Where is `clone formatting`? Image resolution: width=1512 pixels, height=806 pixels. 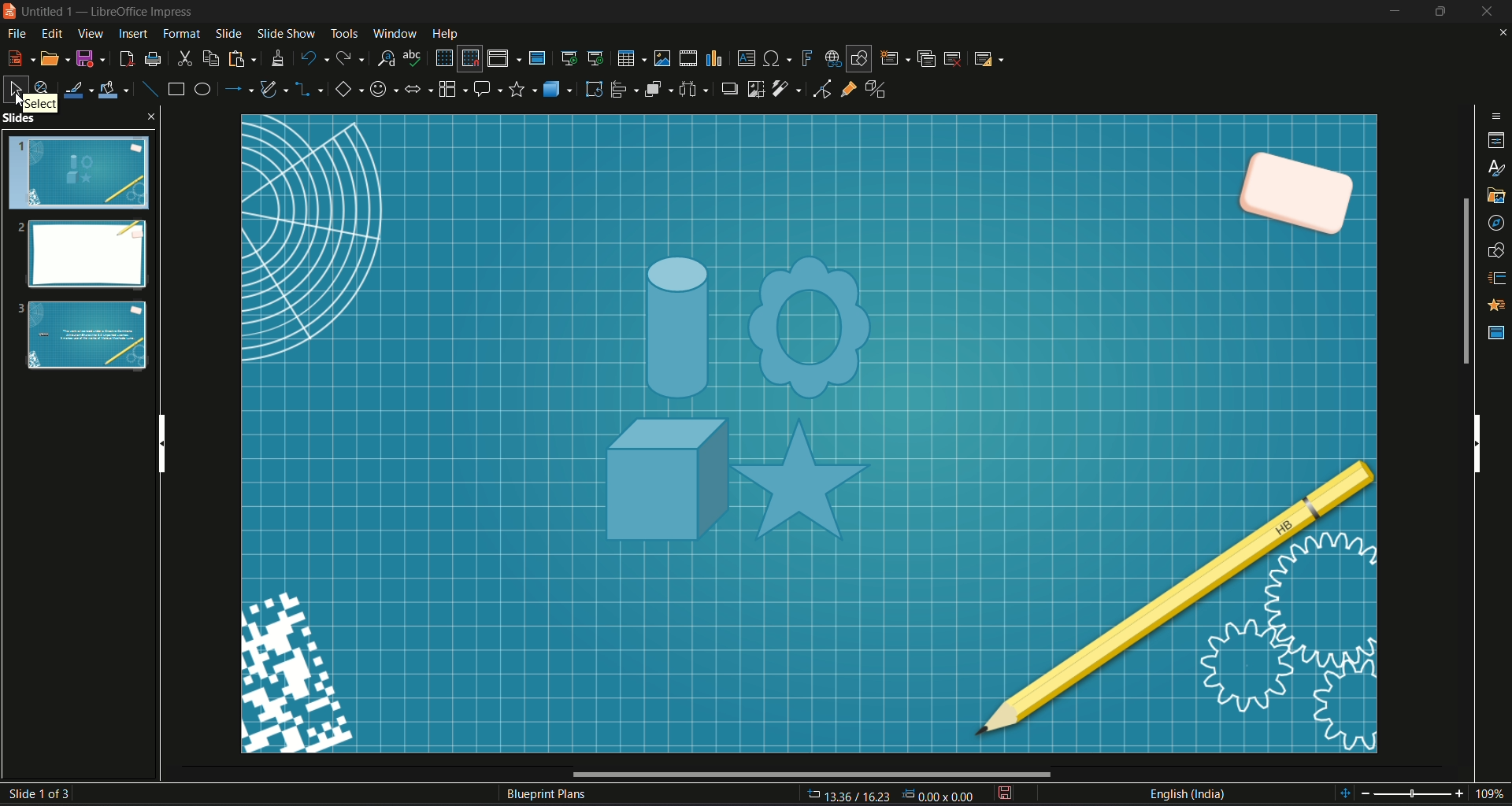 clone formatting is located at coordinates (277, 58).